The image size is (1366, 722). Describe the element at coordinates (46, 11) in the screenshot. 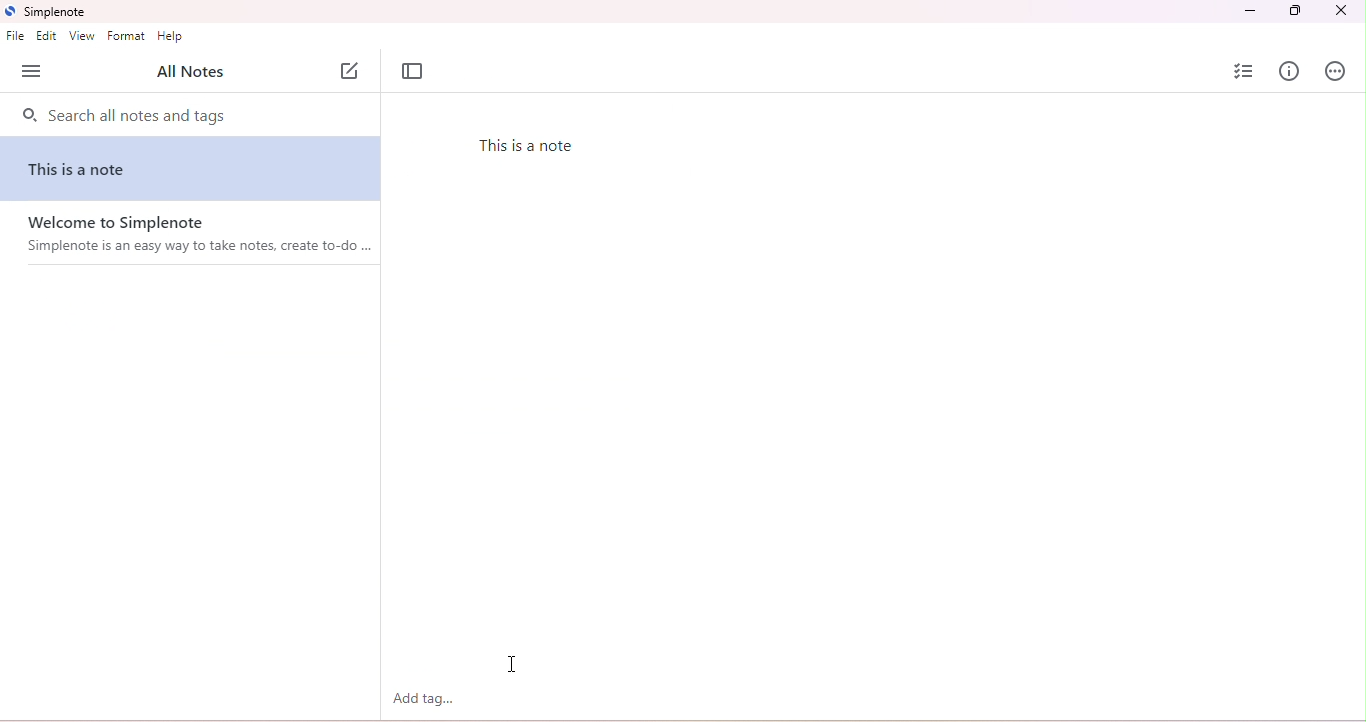

I see `simplenote` at that location.